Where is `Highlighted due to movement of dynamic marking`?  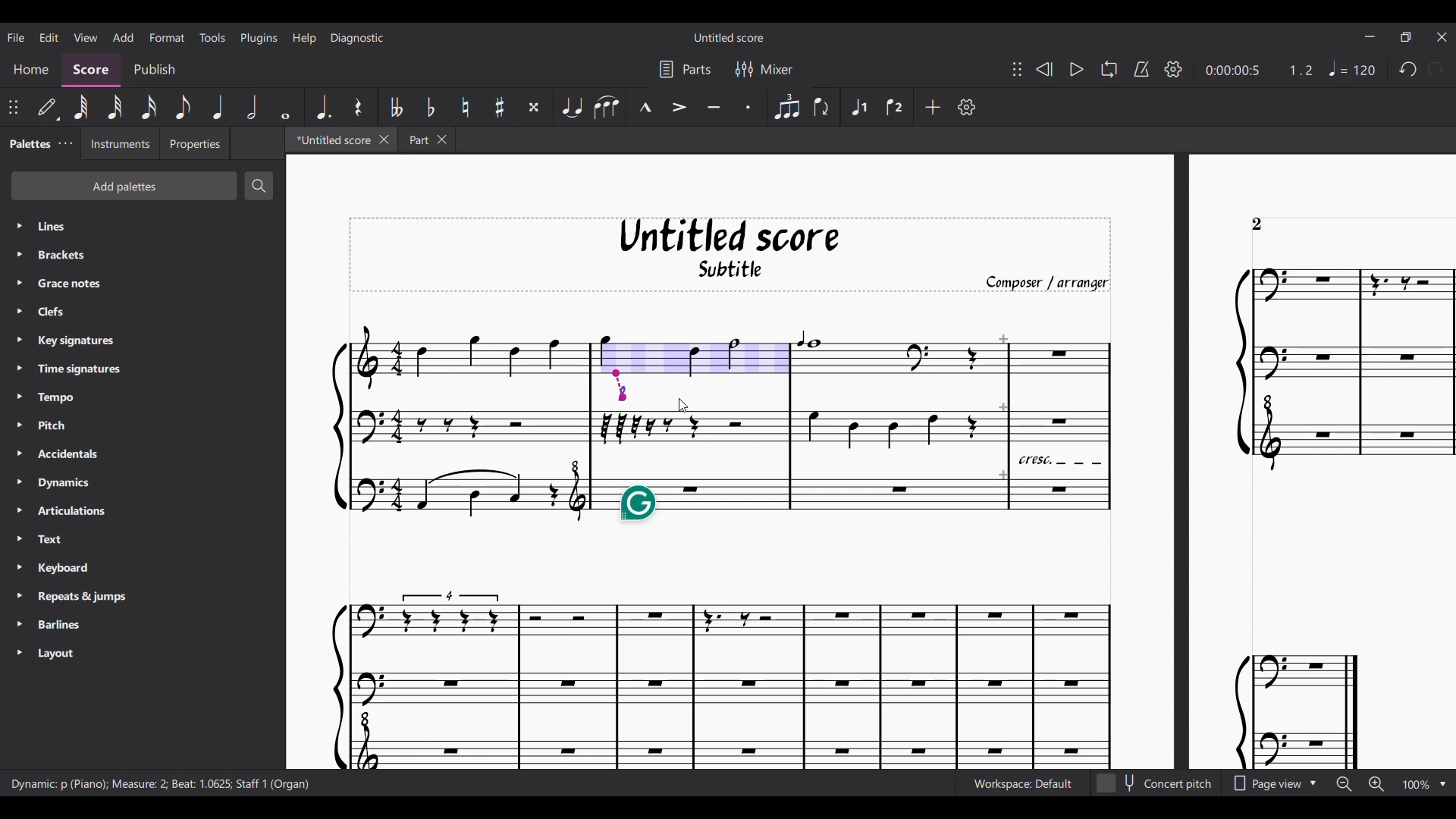
Highlighted due to movement of dynamic marking is located at coordinates (691, 356).